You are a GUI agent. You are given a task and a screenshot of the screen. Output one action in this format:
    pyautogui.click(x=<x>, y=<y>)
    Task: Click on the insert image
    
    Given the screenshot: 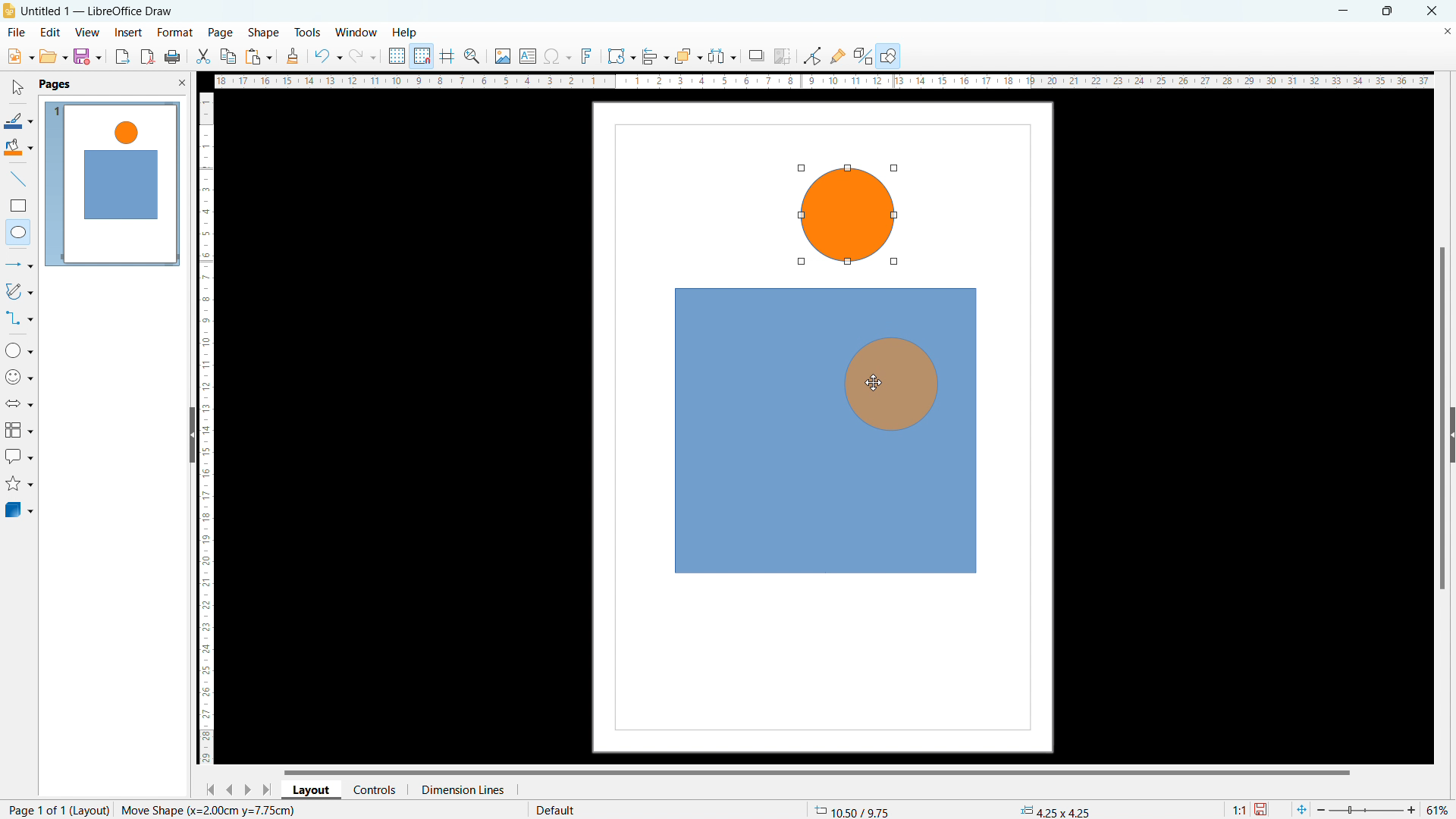 What is the action you would take?
    pyautogui.click(x=502, y=56)
    